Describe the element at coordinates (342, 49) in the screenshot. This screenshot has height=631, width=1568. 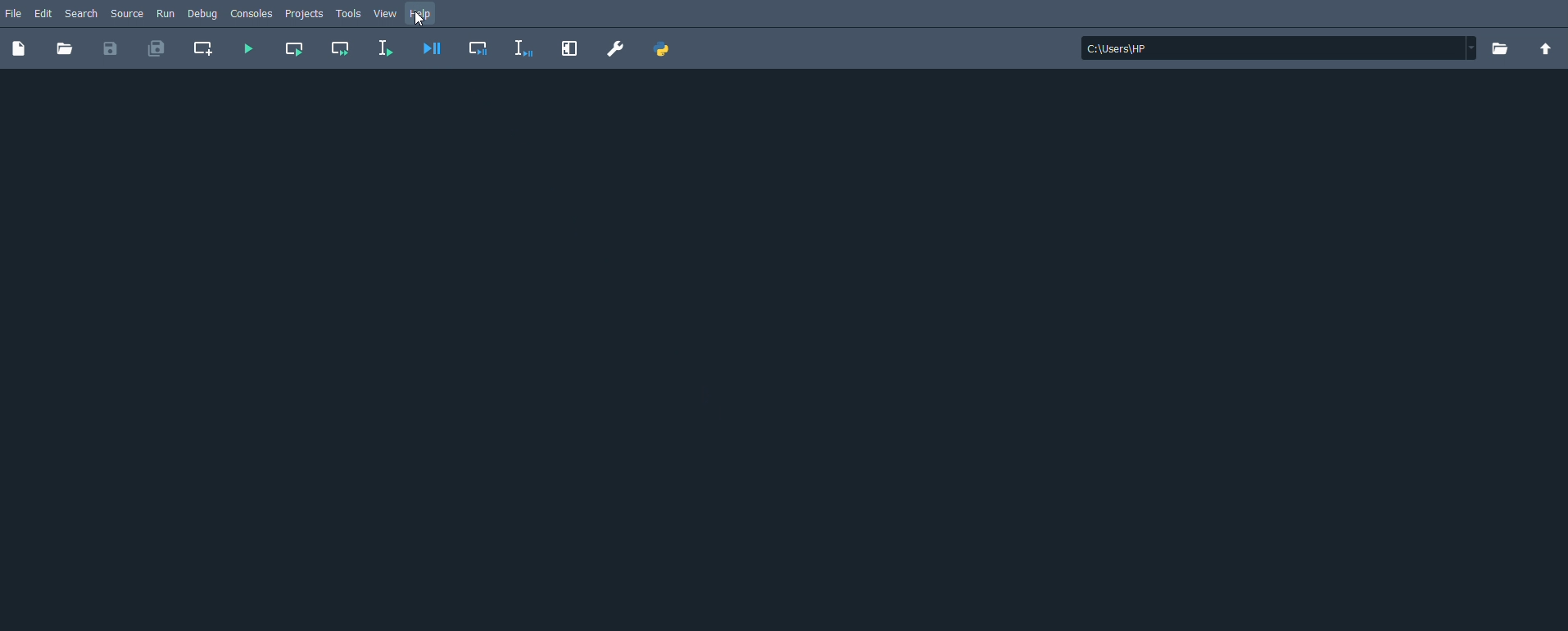
I see `Run current cell and go to the next one` at that location.